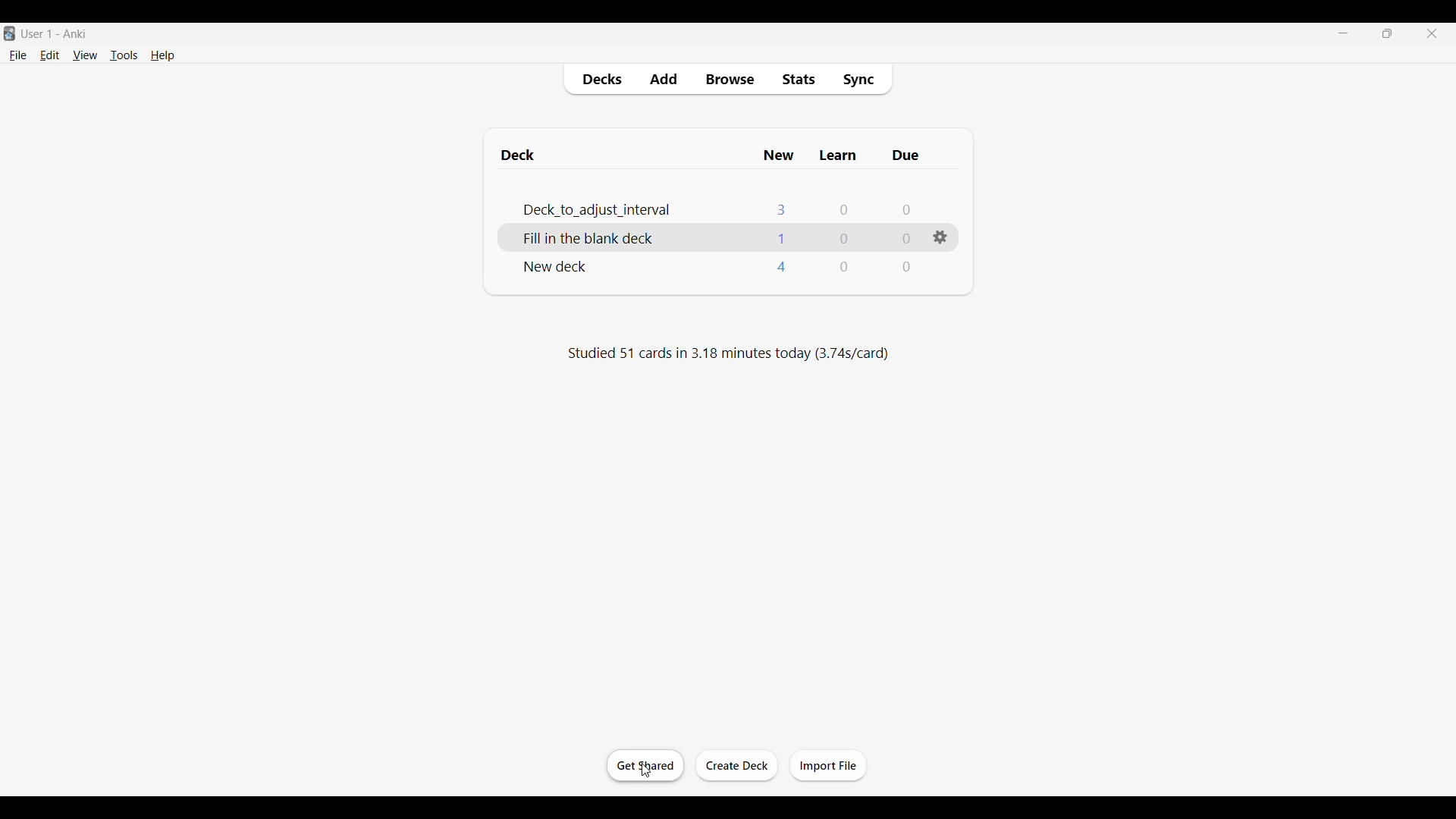  I want to click on Fill in the blank deck, so click(576, 240).